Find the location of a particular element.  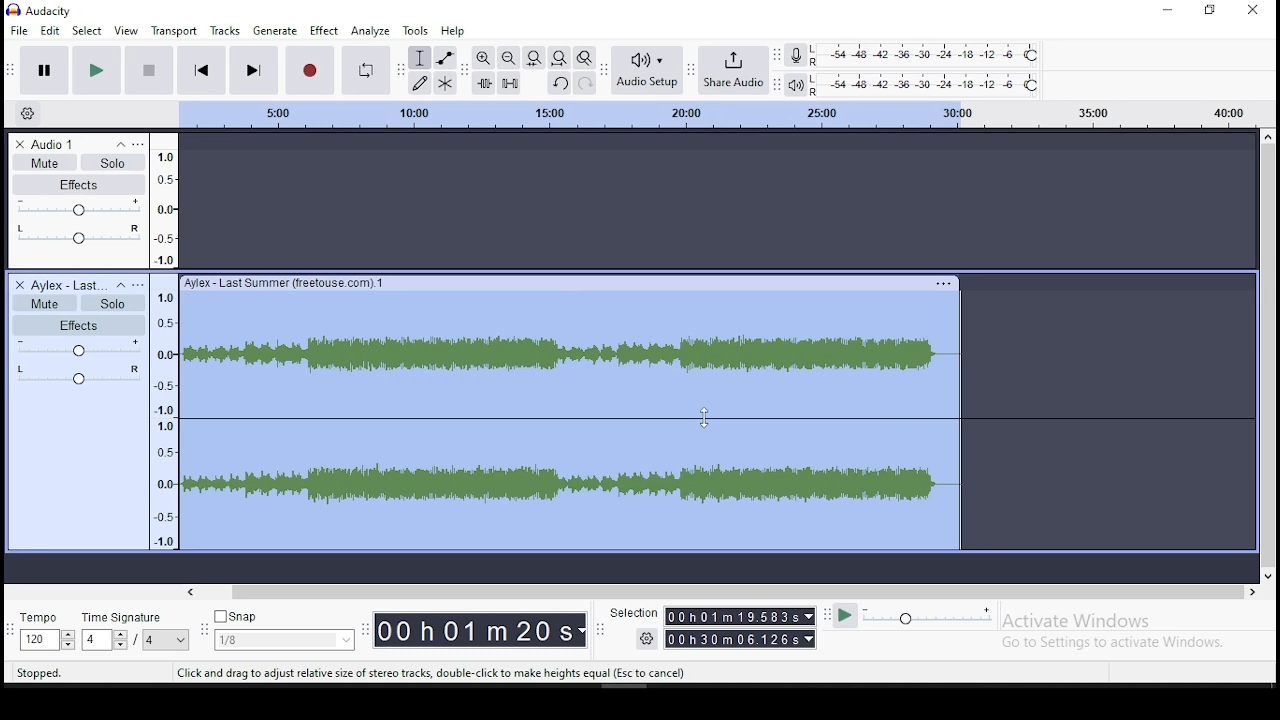

solo is located at coordinates (112, 303).